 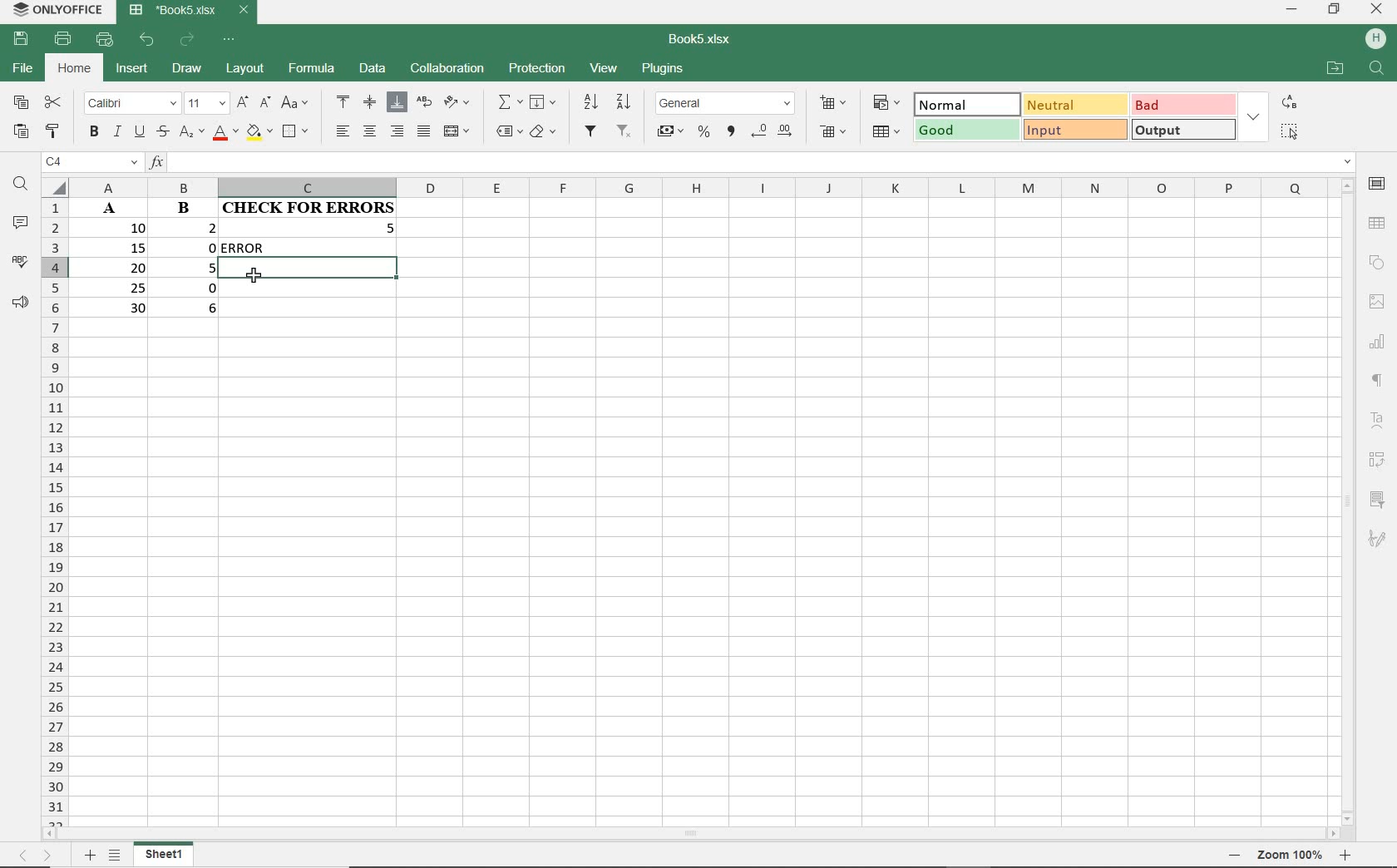 What do you see at coordinates (131, 68) in the screenshot?
I see `INSERT` at bounding box center [131, 68].